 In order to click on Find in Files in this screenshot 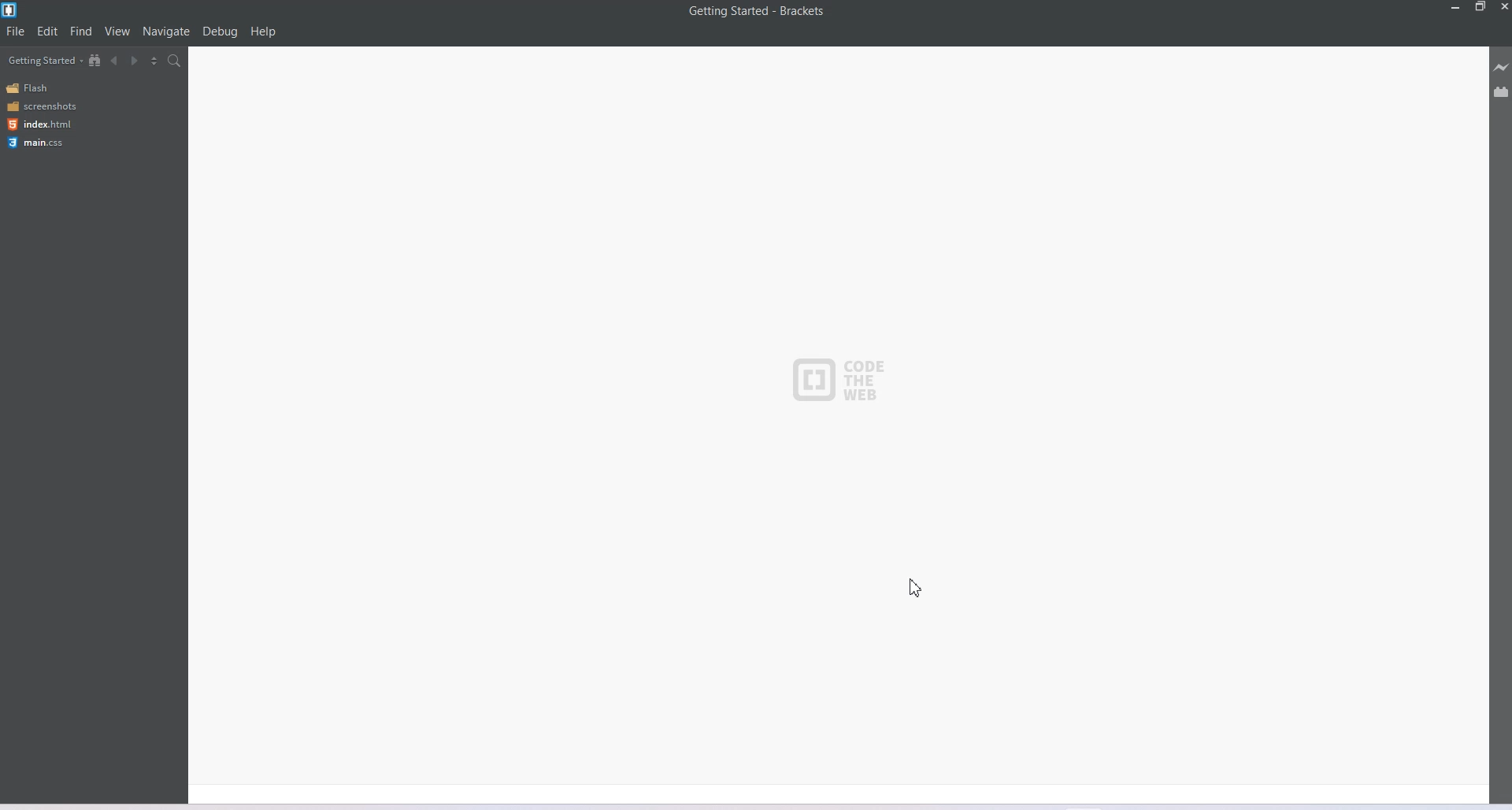, I will do `click(175, 61)`.